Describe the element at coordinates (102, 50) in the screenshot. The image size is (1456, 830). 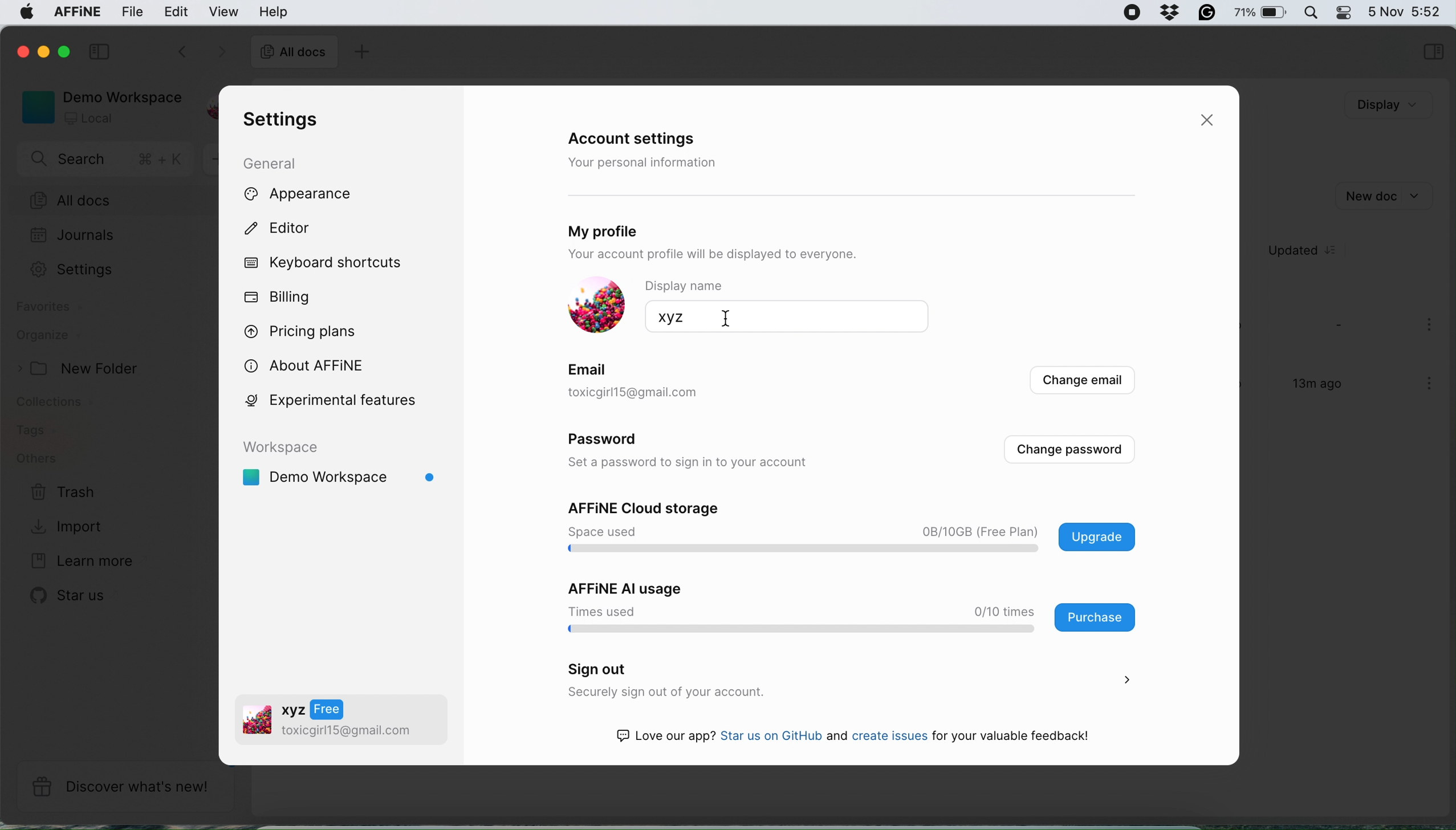
I see `collapse sidebar` at that location.